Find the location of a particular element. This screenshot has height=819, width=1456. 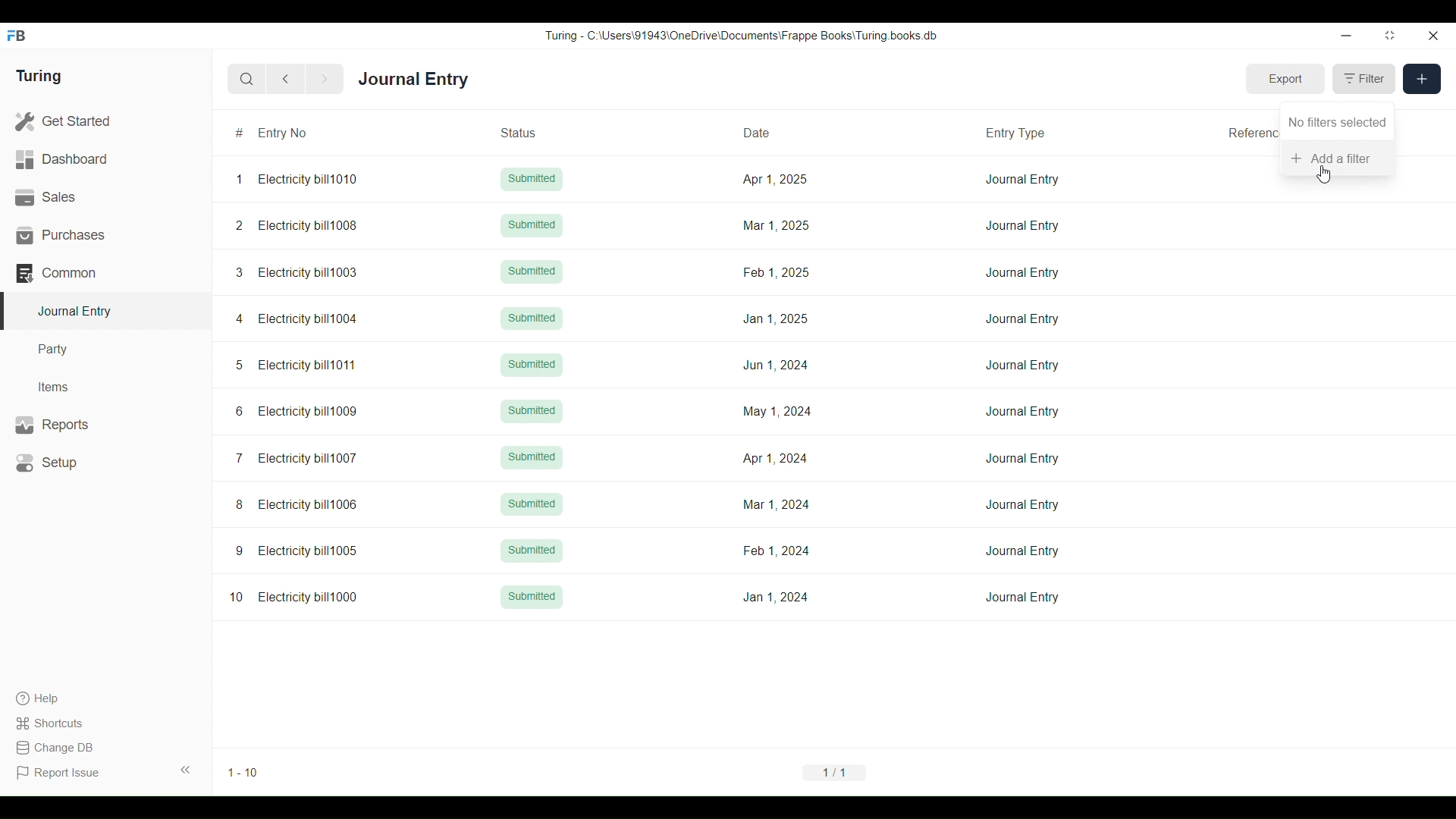

4 Electricity bill1004 is located at coordinates (297, 318).